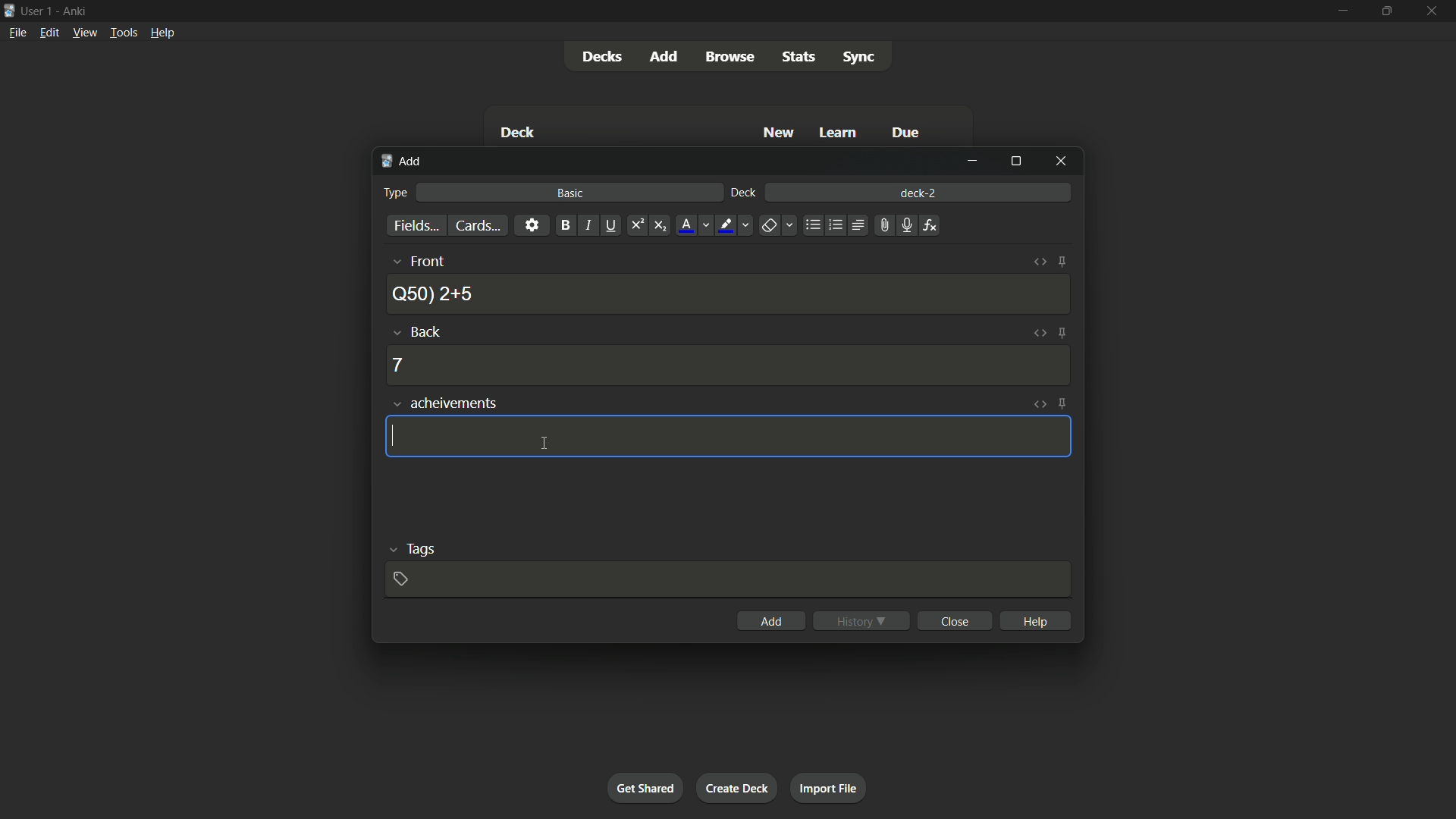  Describe the element at coordinates (543, 444) in the screenshot. I see `cursor` at that location.